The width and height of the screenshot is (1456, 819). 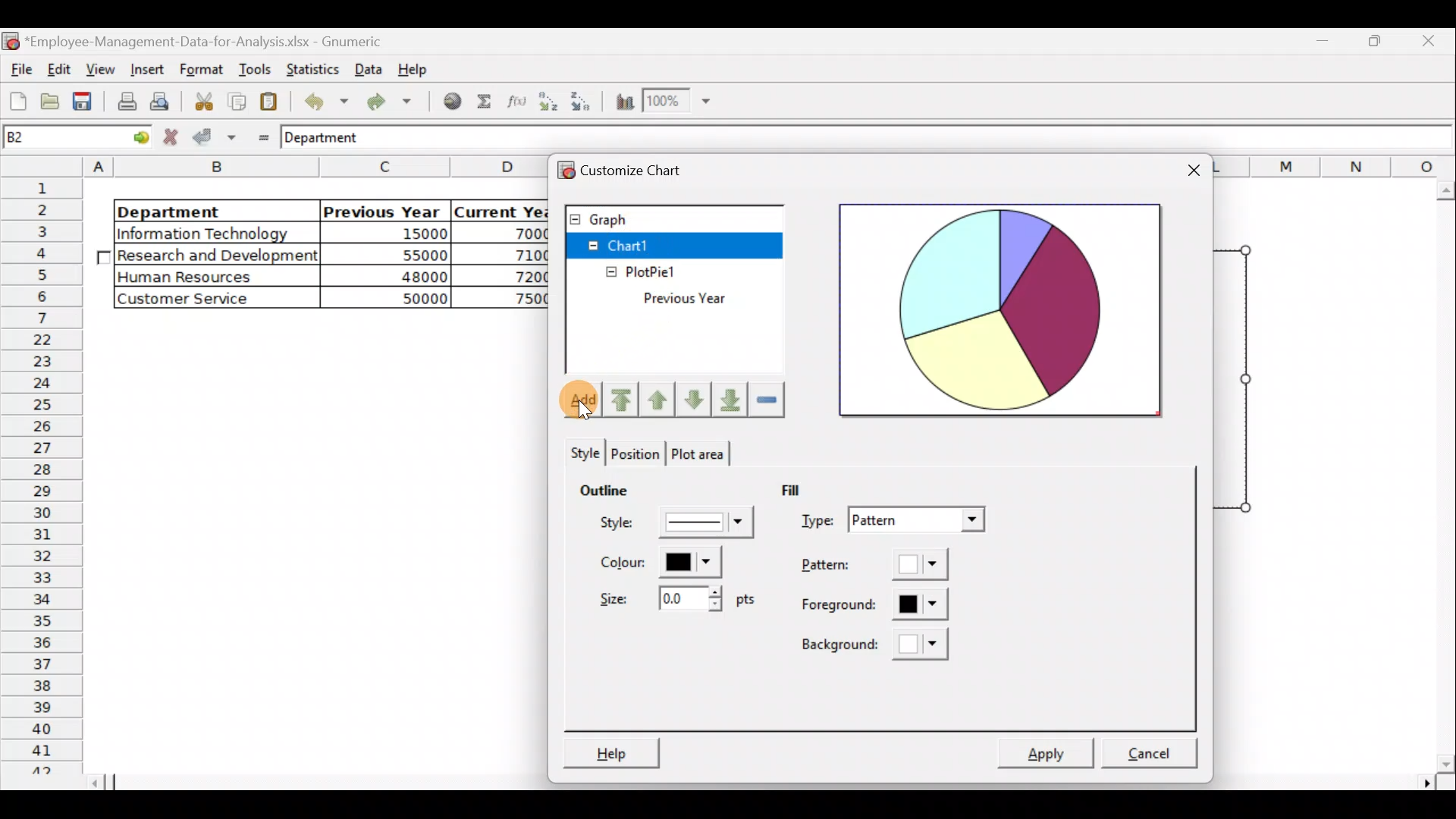 I want to click on Cancel change, so click(x=172, y=138).